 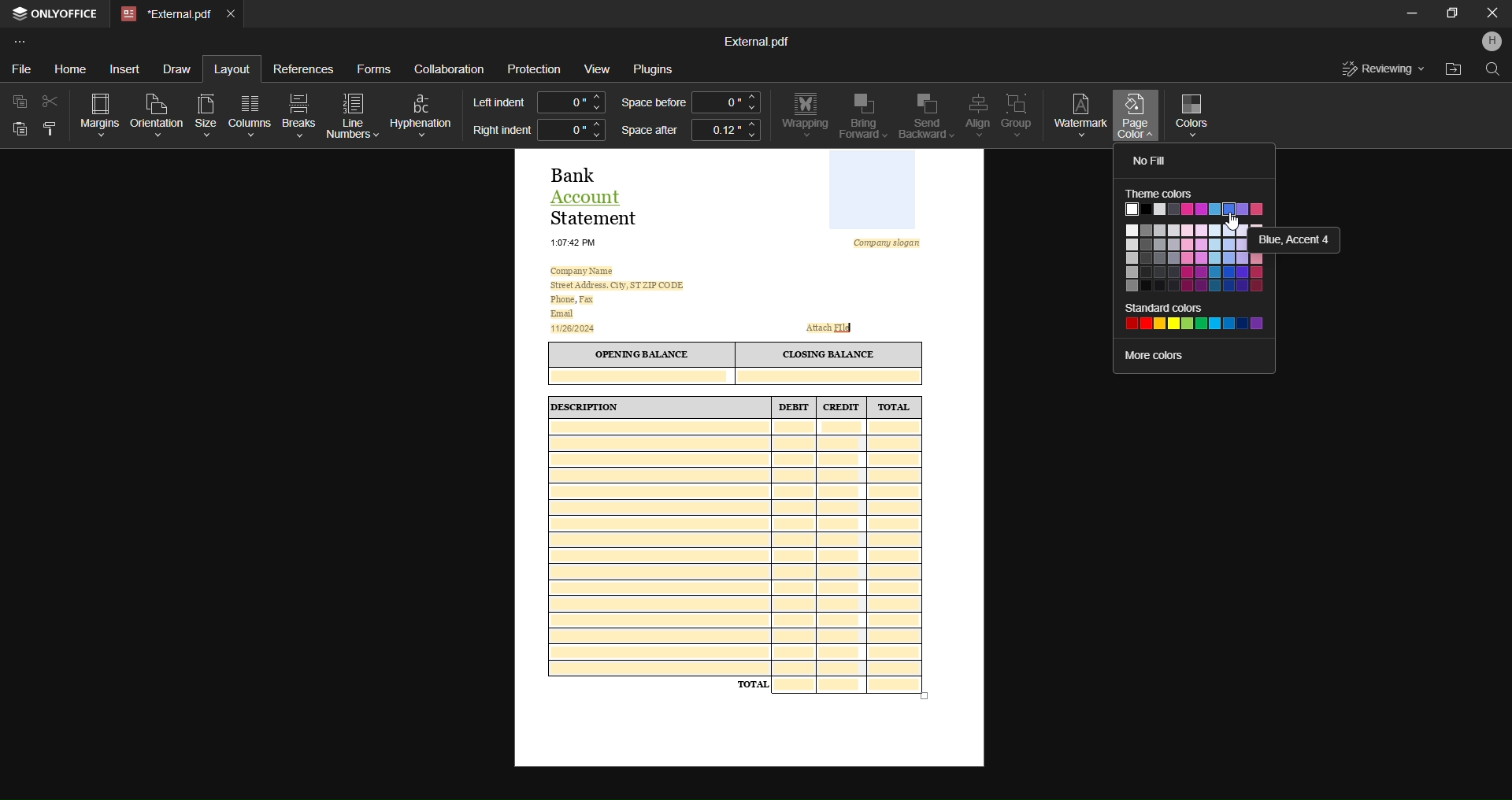 I want to click on Space Before, so click(x=652, y=103).